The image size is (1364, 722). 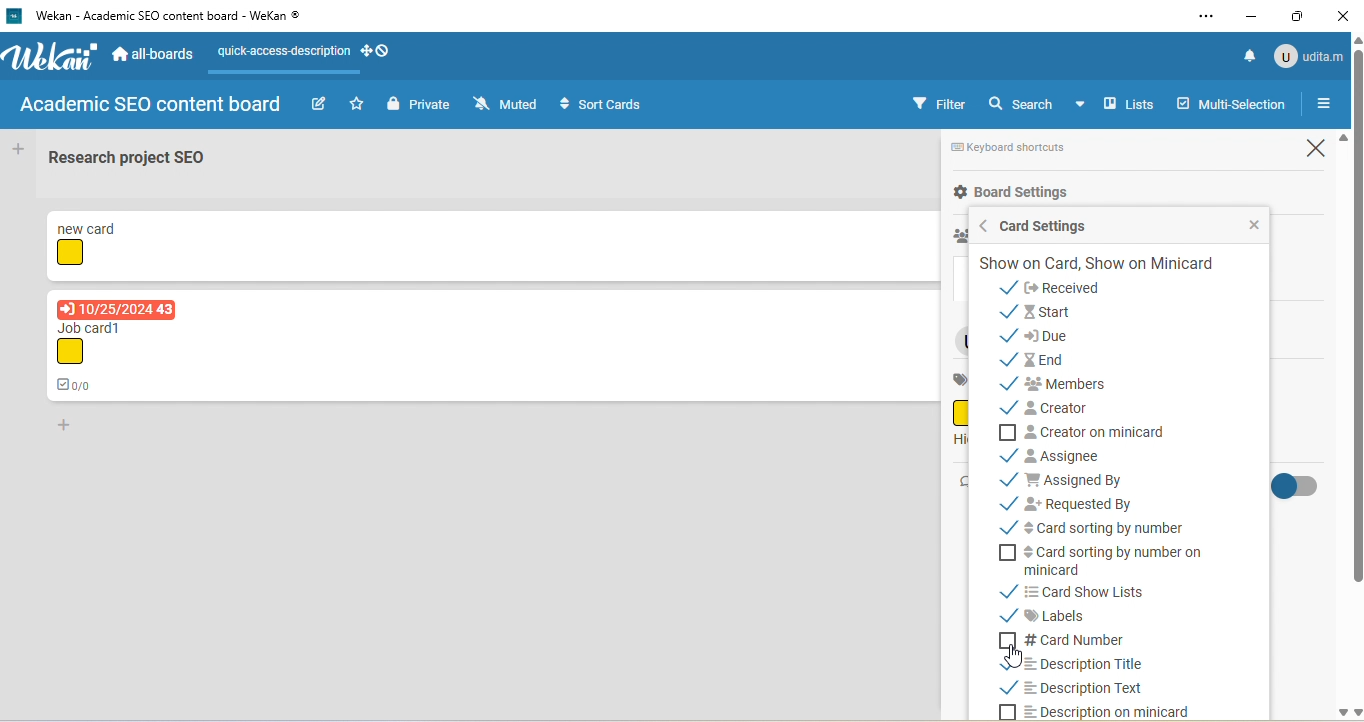 What do you see at coordinates (1244, 56) in the screenshot?
I see `notification` at bounding box center [1244, 56].